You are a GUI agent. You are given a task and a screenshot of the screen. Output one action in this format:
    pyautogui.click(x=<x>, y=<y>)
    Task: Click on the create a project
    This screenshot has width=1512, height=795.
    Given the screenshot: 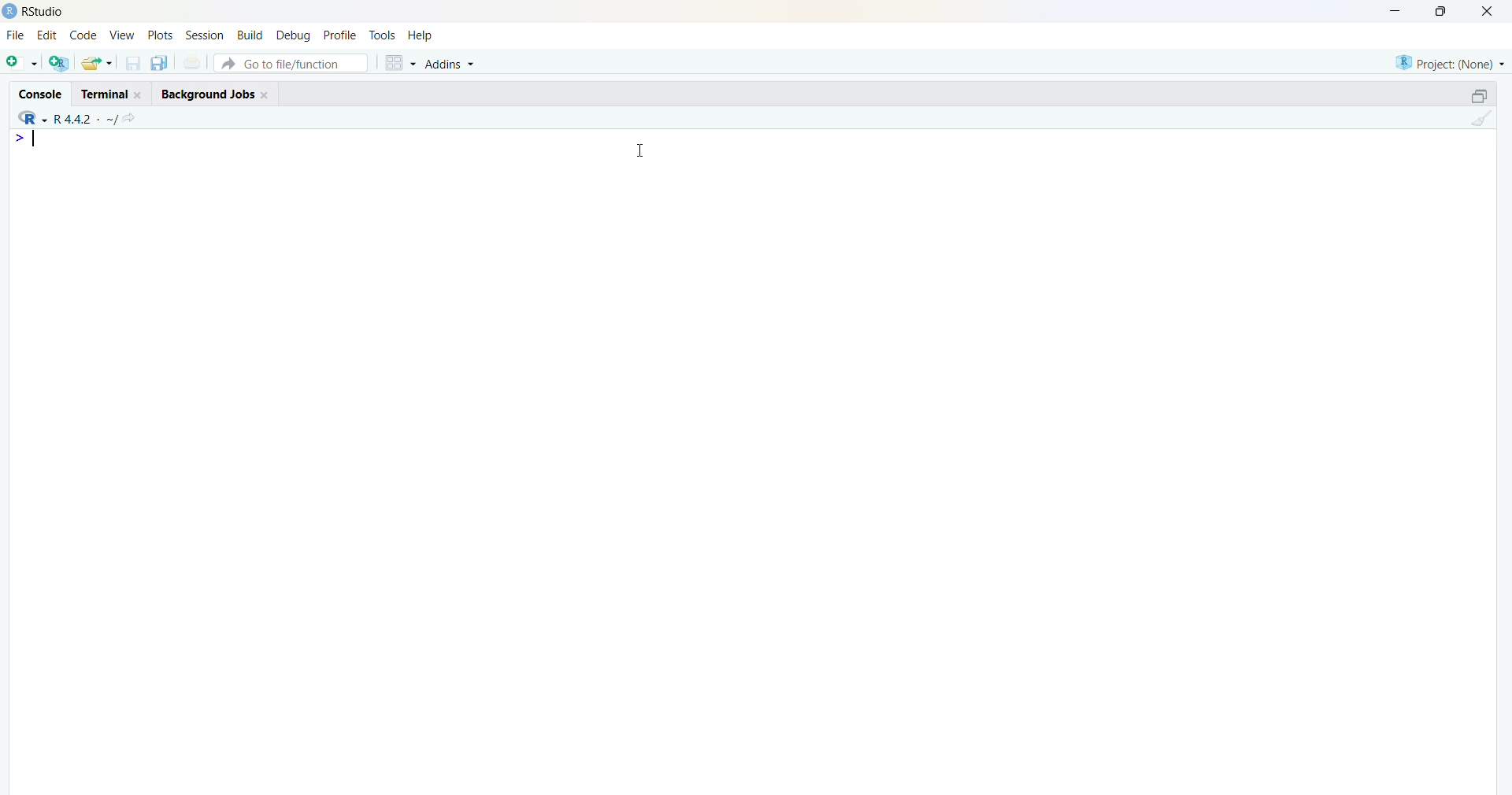 What is the action you would take?
    pyautogui.click(x=58, y=62)
    